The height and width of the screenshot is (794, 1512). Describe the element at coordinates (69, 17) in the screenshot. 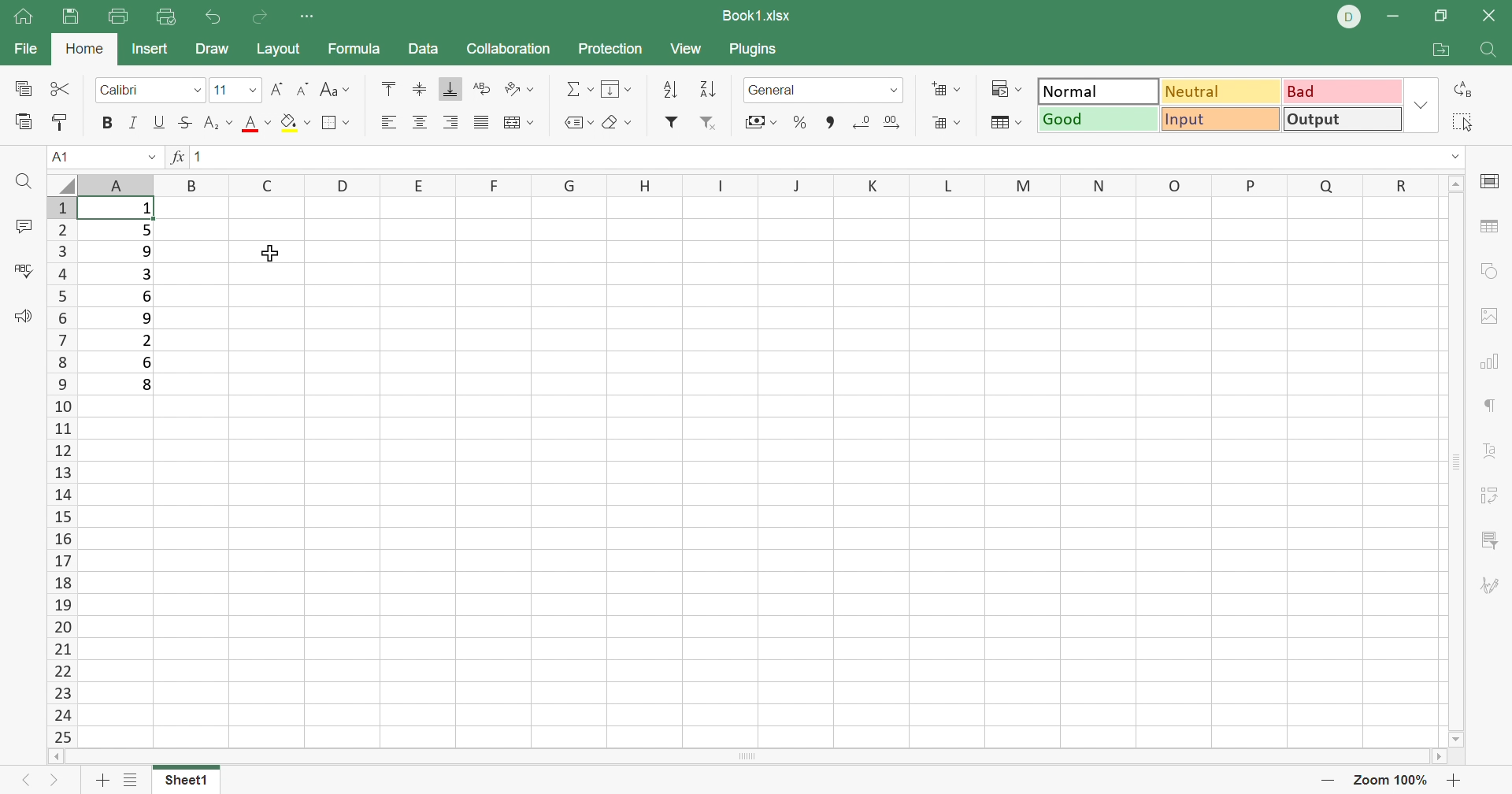

I see `Save` at that location.